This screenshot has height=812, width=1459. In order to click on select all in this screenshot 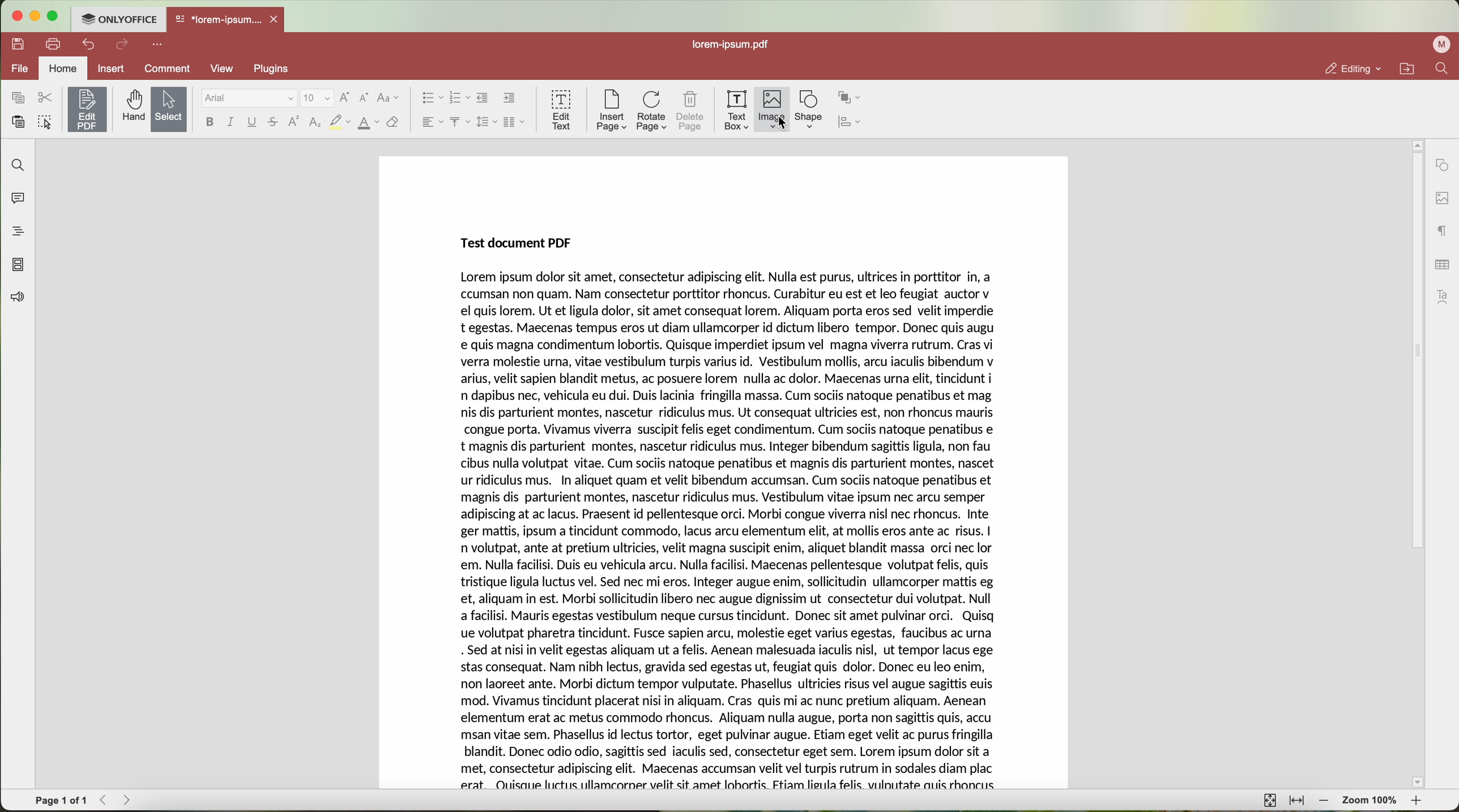, I will do `click(45, 123)`.